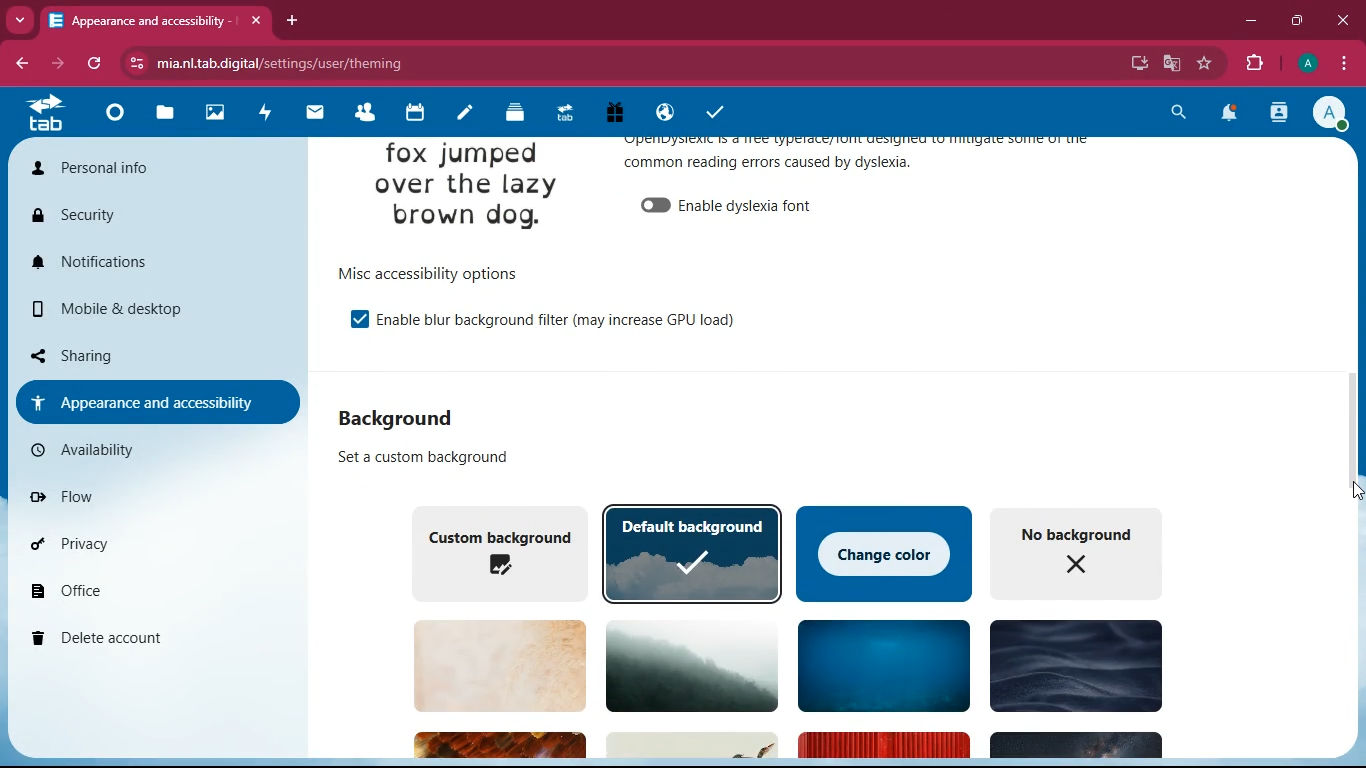 This screenshot has height=768, width=1366. What do you see at coordinates (147, 638) in the screenshot?
I see `delete account` at bounding box center [147, 638].